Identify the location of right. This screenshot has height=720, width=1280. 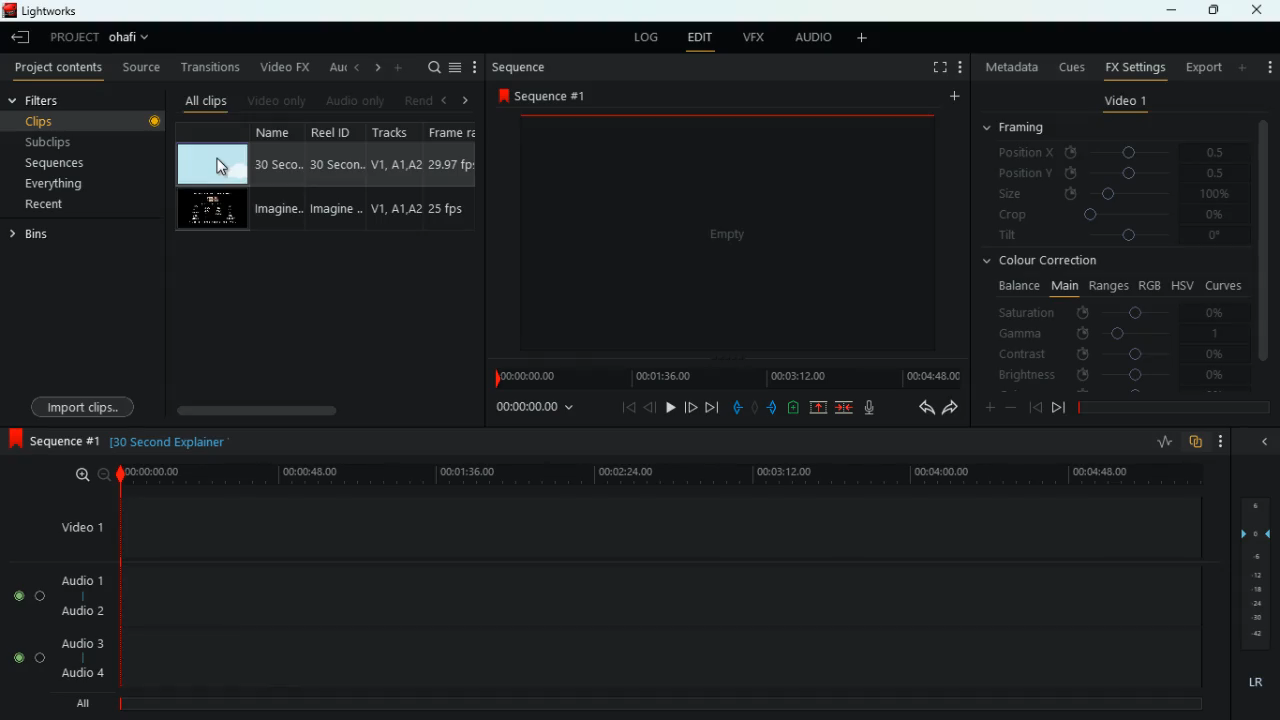
(376, 67).